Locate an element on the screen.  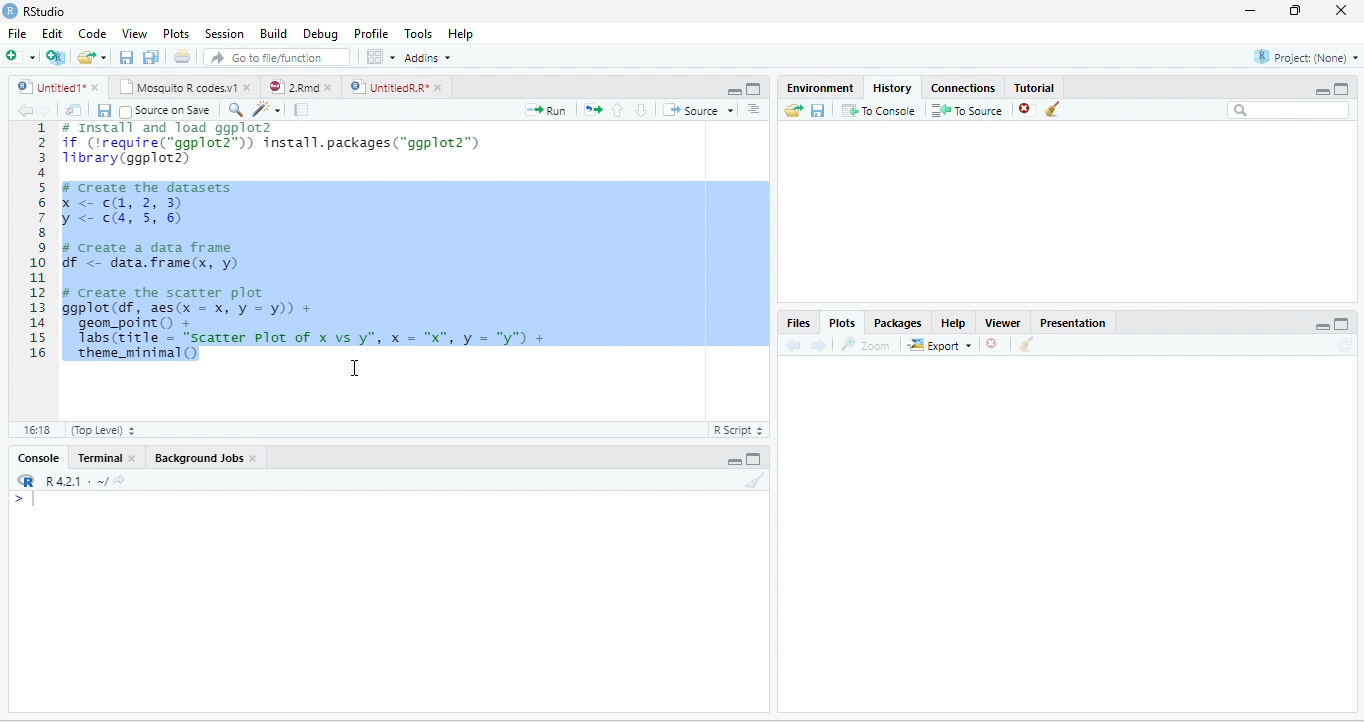
Load history from an existing file is located at coordinates (792, 111).